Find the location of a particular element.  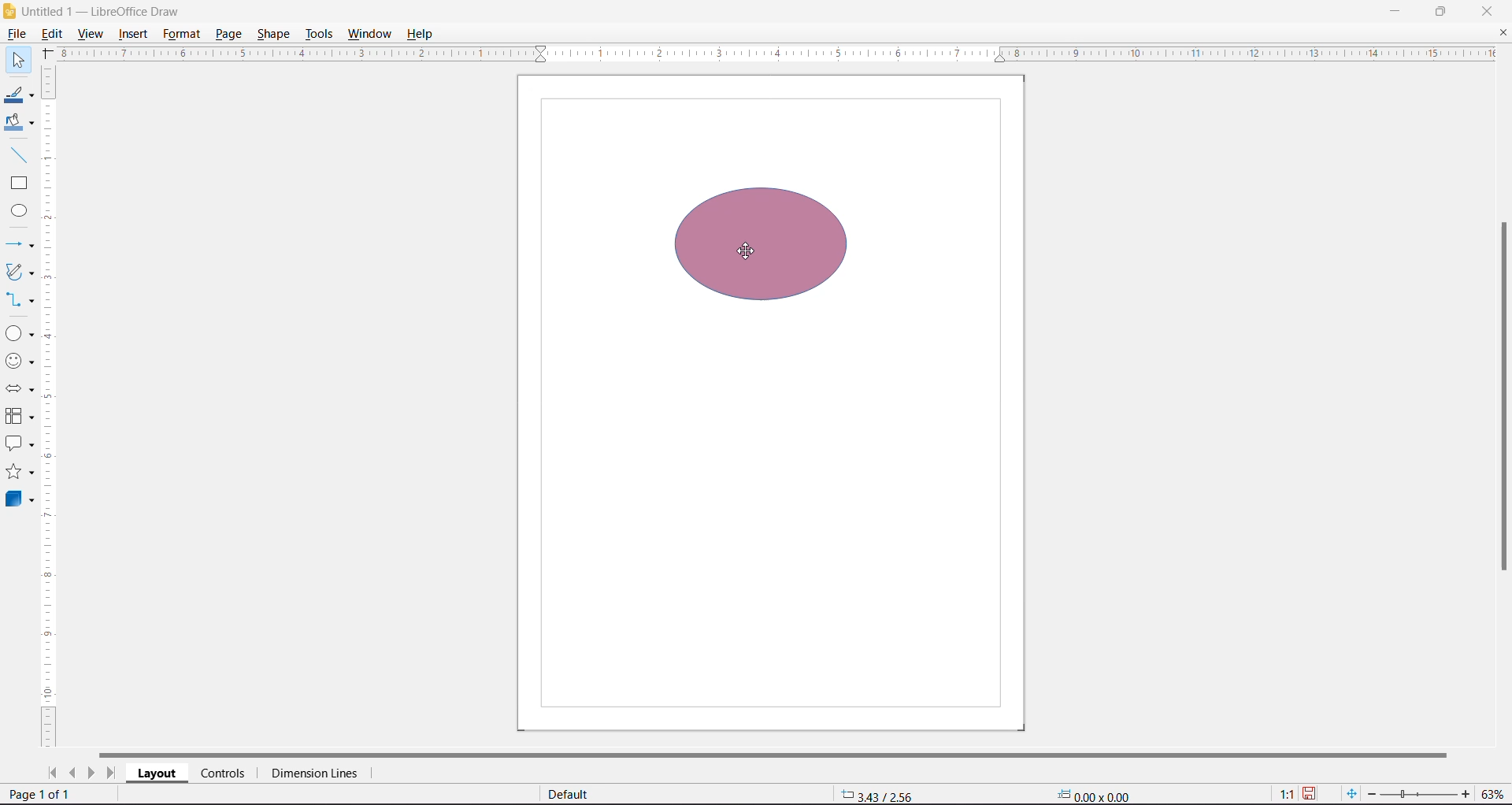

Close Document is located at coordinates (1503, 33).